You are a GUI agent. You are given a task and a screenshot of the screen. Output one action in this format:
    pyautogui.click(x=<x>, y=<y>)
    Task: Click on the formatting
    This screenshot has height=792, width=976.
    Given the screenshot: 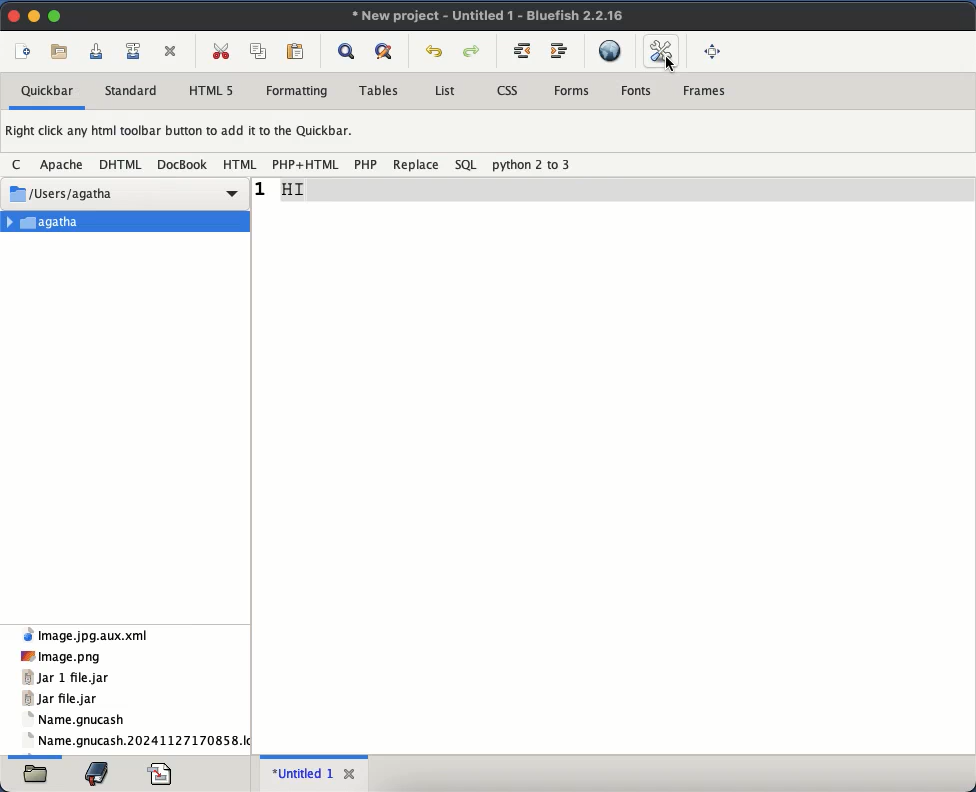 What is the action you would take?
    pyautogui.click(x=296, y=92)
    